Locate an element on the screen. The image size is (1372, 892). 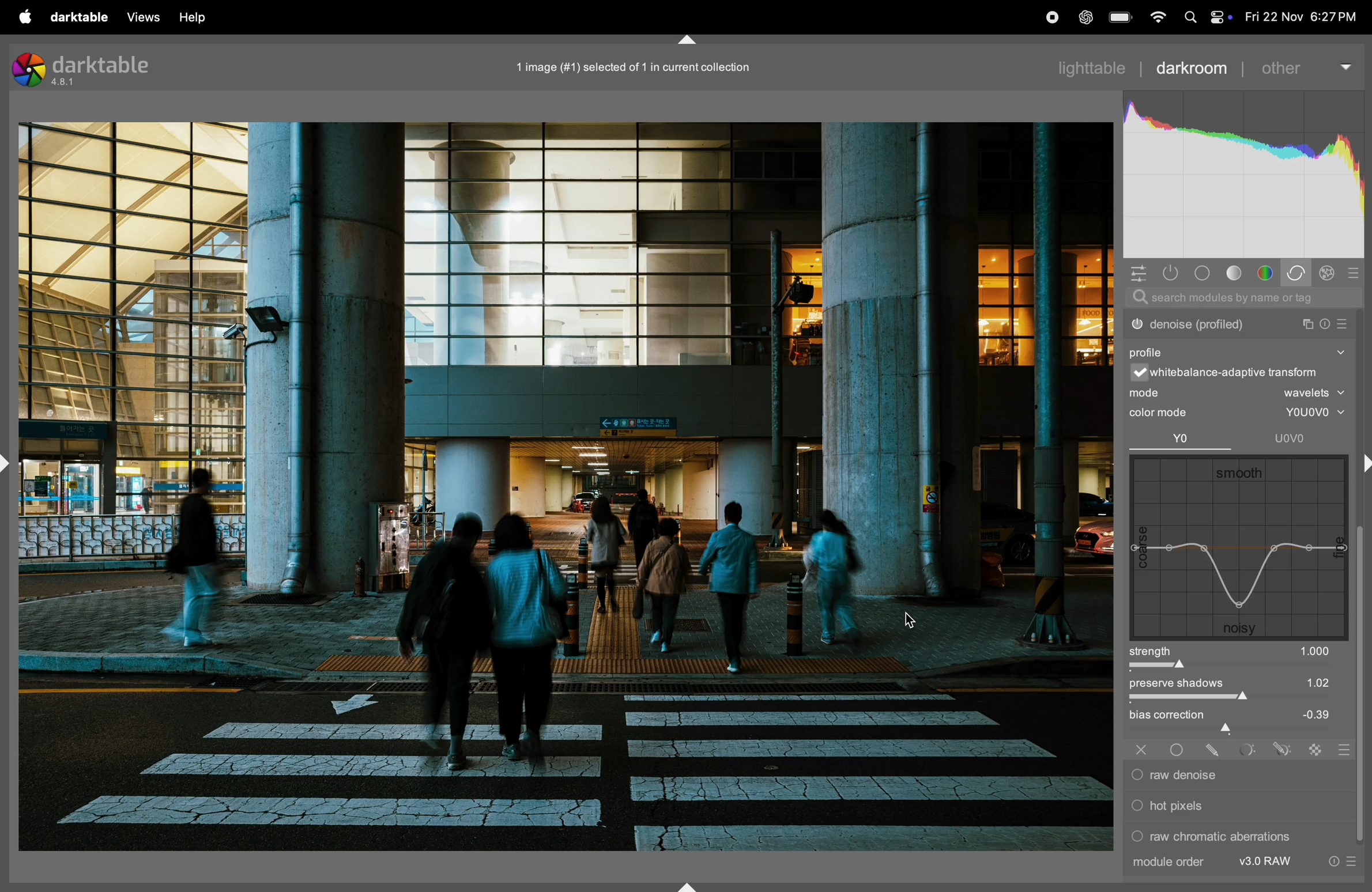
wavelets is located at coordinates (1311, 392).